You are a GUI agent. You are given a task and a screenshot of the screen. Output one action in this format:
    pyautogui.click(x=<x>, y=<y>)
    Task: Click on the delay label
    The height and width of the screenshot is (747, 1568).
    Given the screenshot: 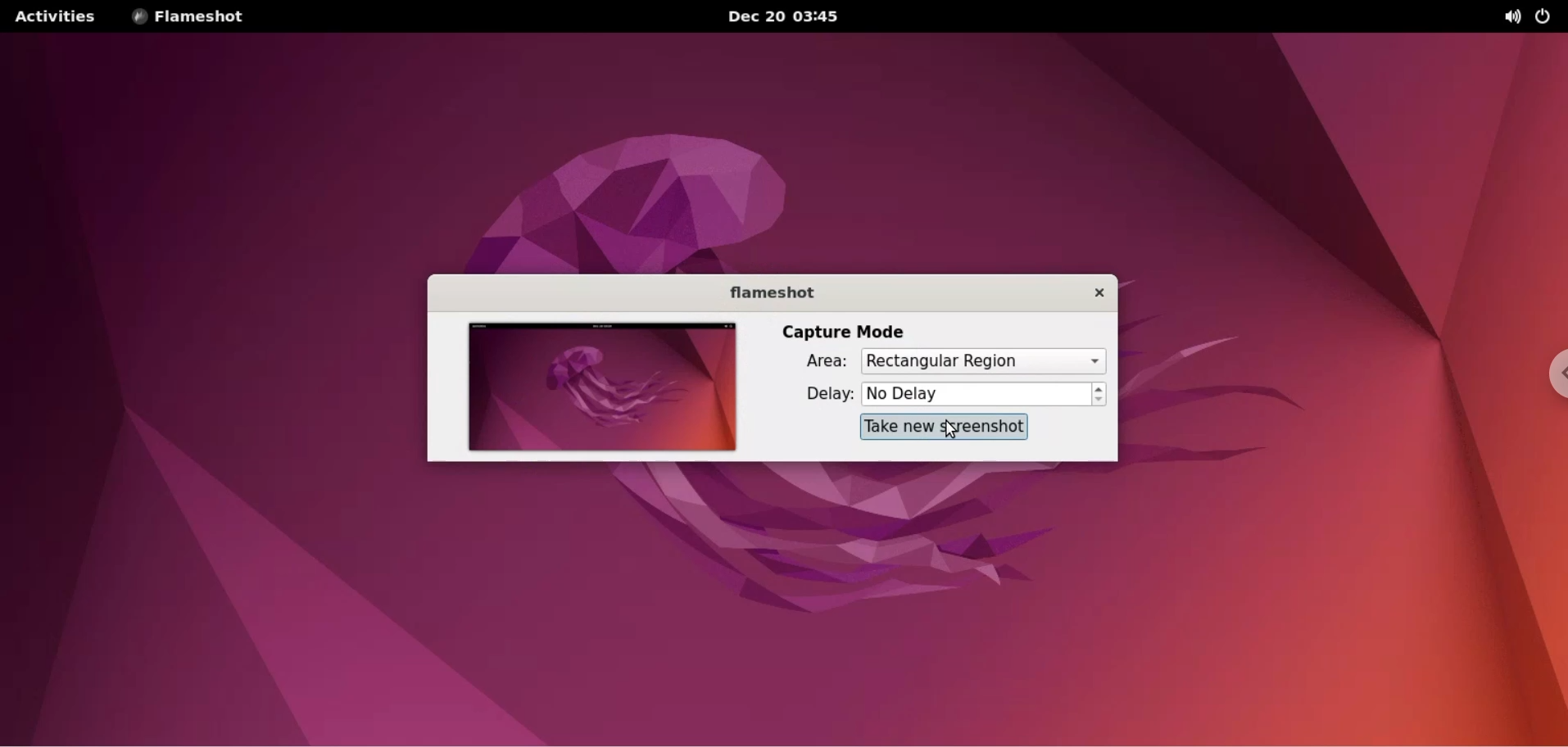 What is the action you would take?
    pyautogui.click(x=828, y=396)
    